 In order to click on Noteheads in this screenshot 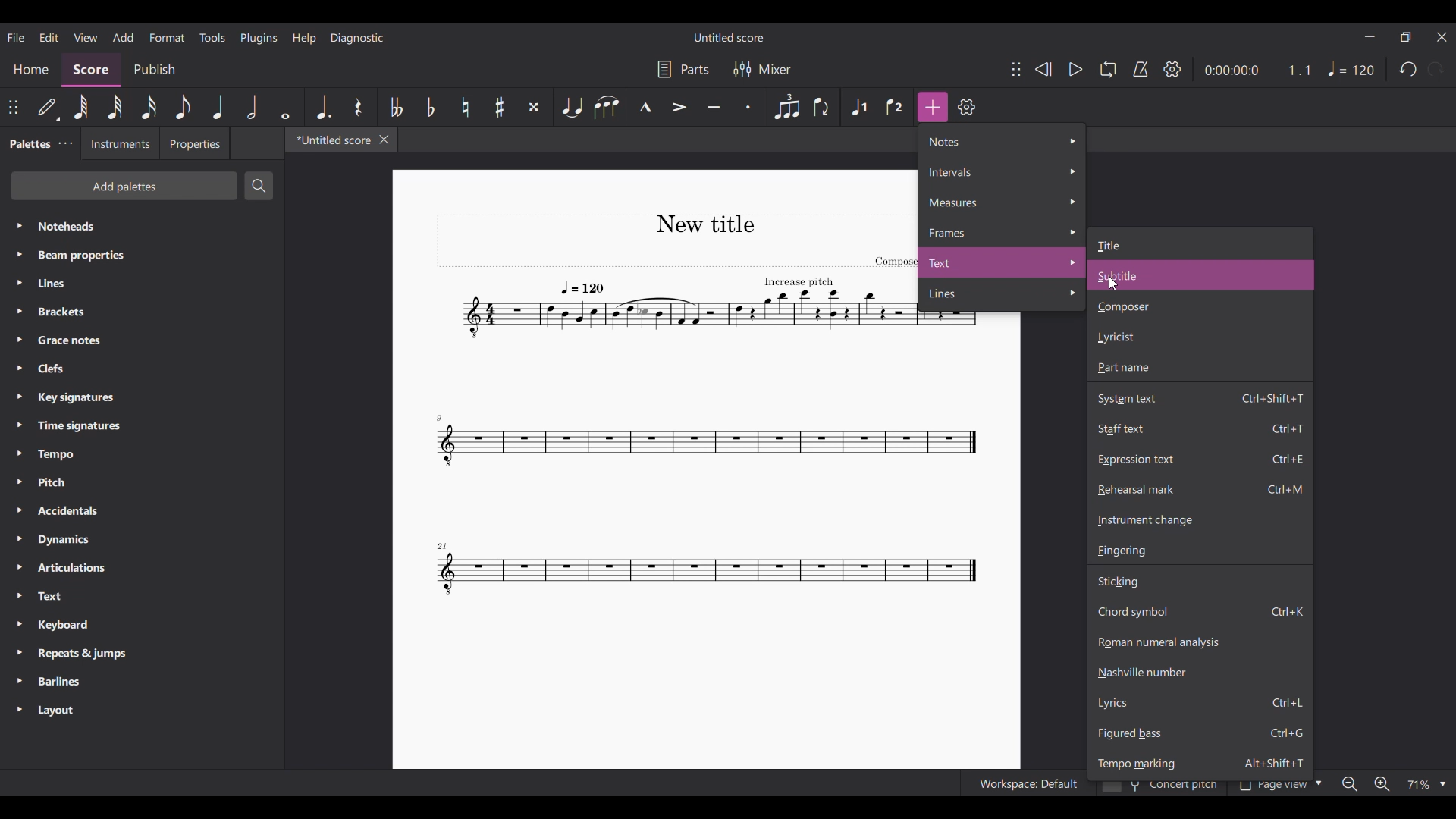, I will do `click(143, 227)`.